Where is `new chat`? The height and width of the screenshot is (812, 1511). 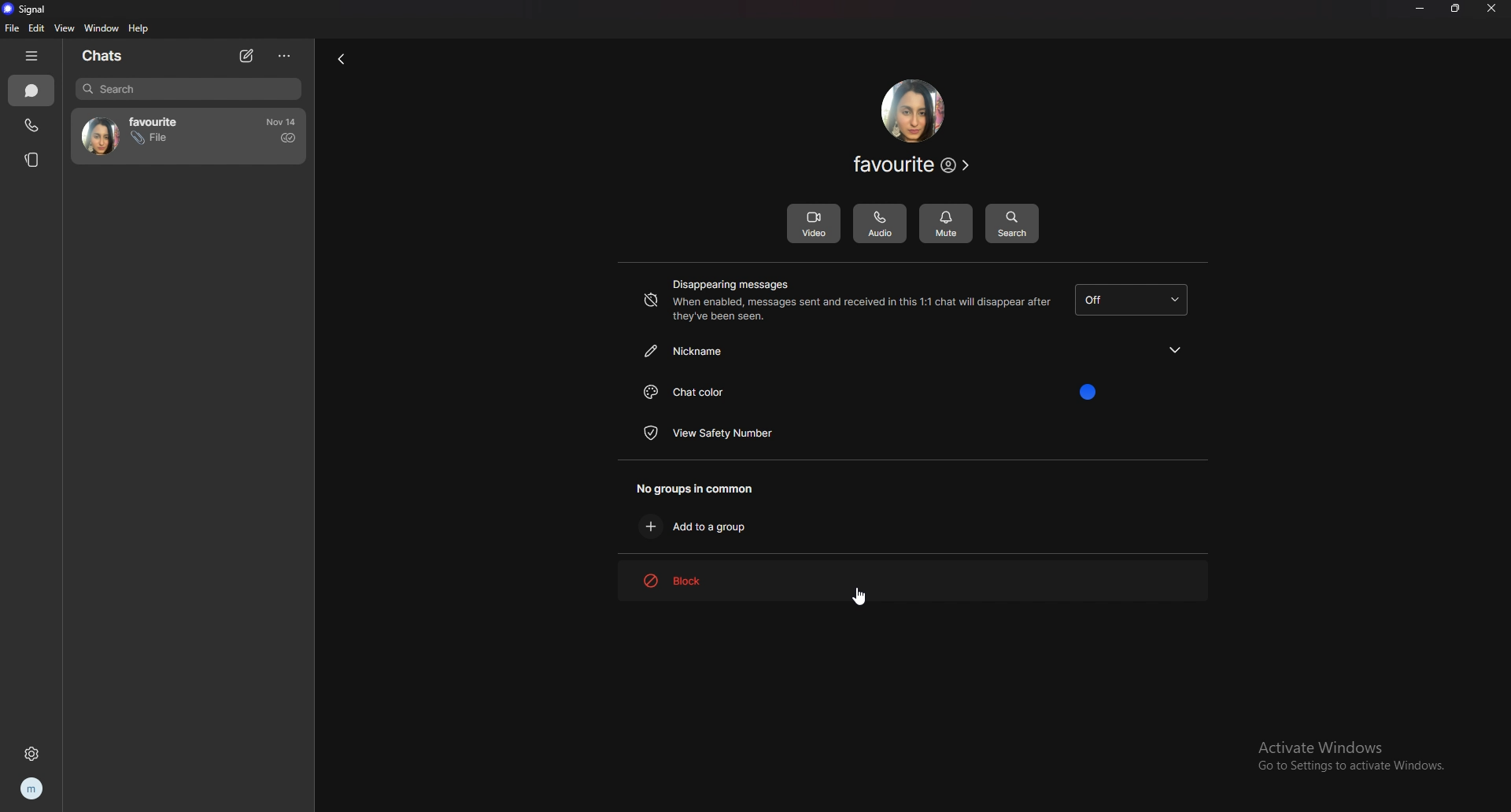
new chat is located at coordinates (245, 55).